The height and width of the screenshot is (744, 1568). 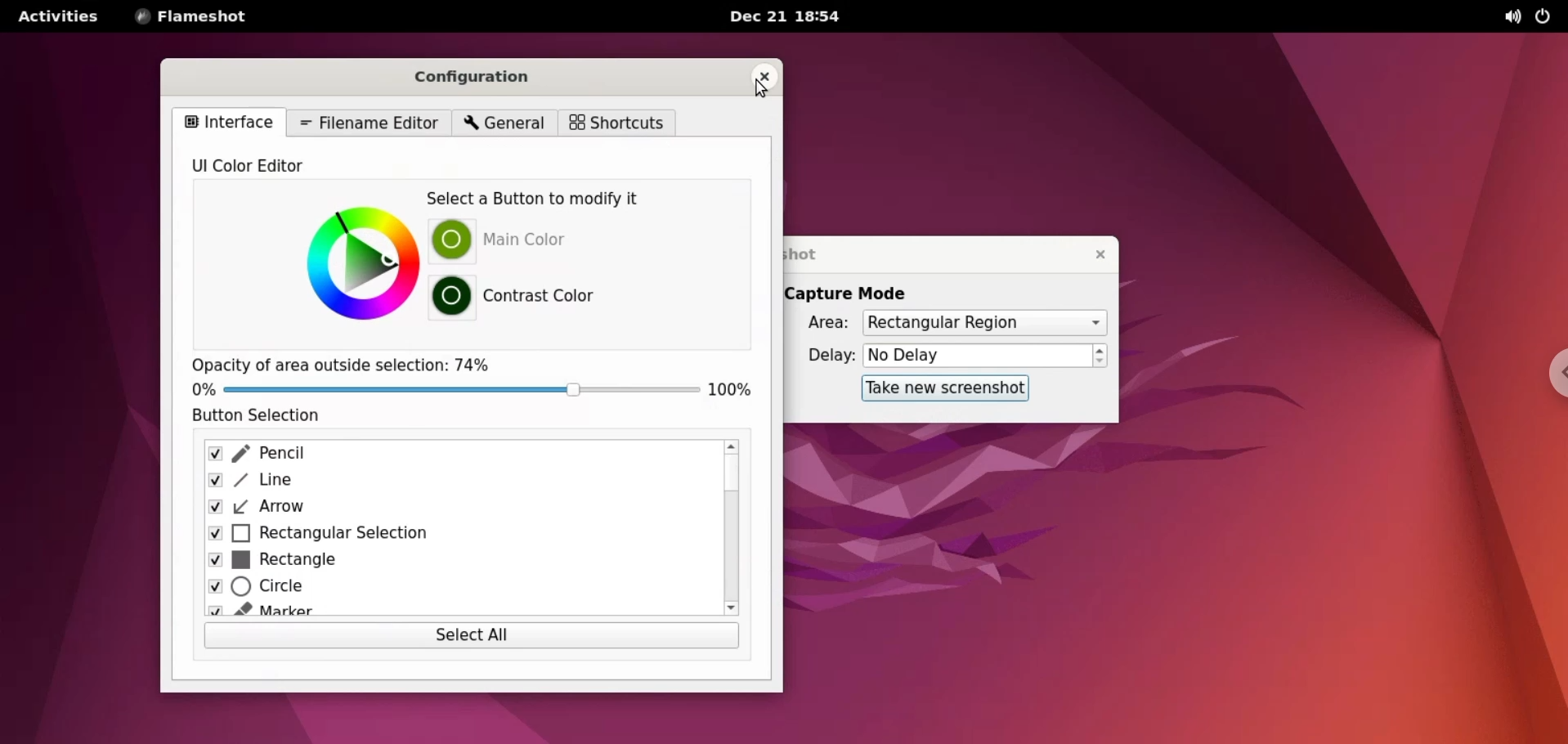 I want to click on increment or decrement delay , so click(x=1102, y=356).